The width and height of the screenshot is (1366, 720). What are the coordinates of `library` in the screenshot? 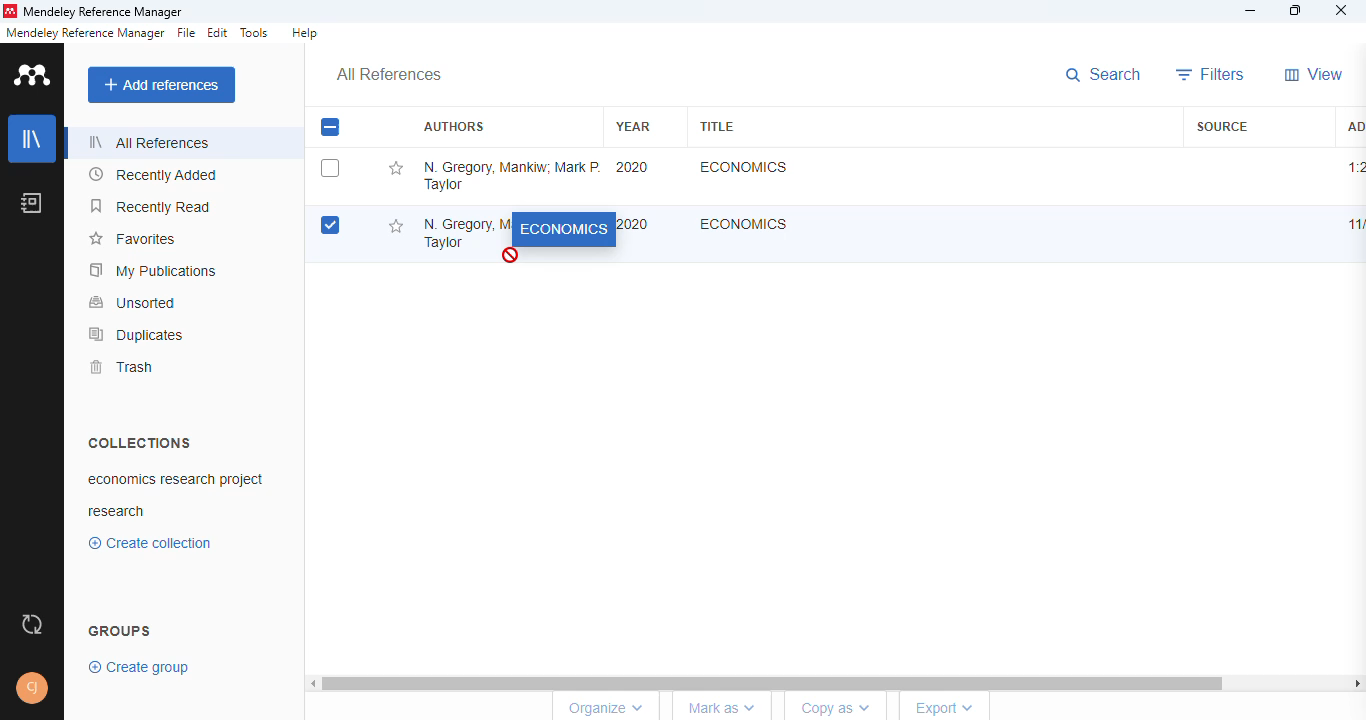 It's located at (33, 139).